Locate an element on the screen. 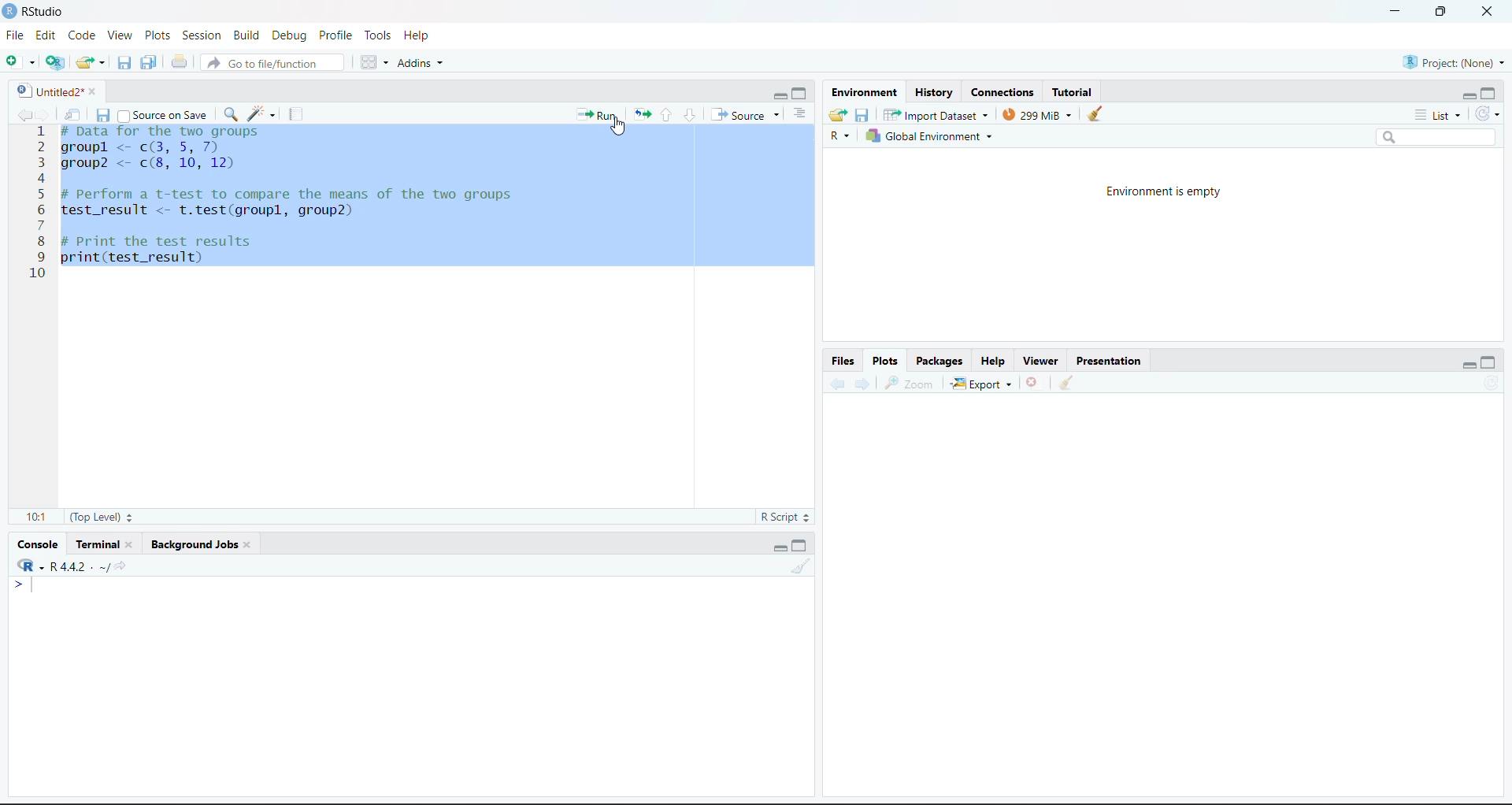 The width and height of the screenshot is (1512, 805). minimize is located at coordinates (1470, 364).